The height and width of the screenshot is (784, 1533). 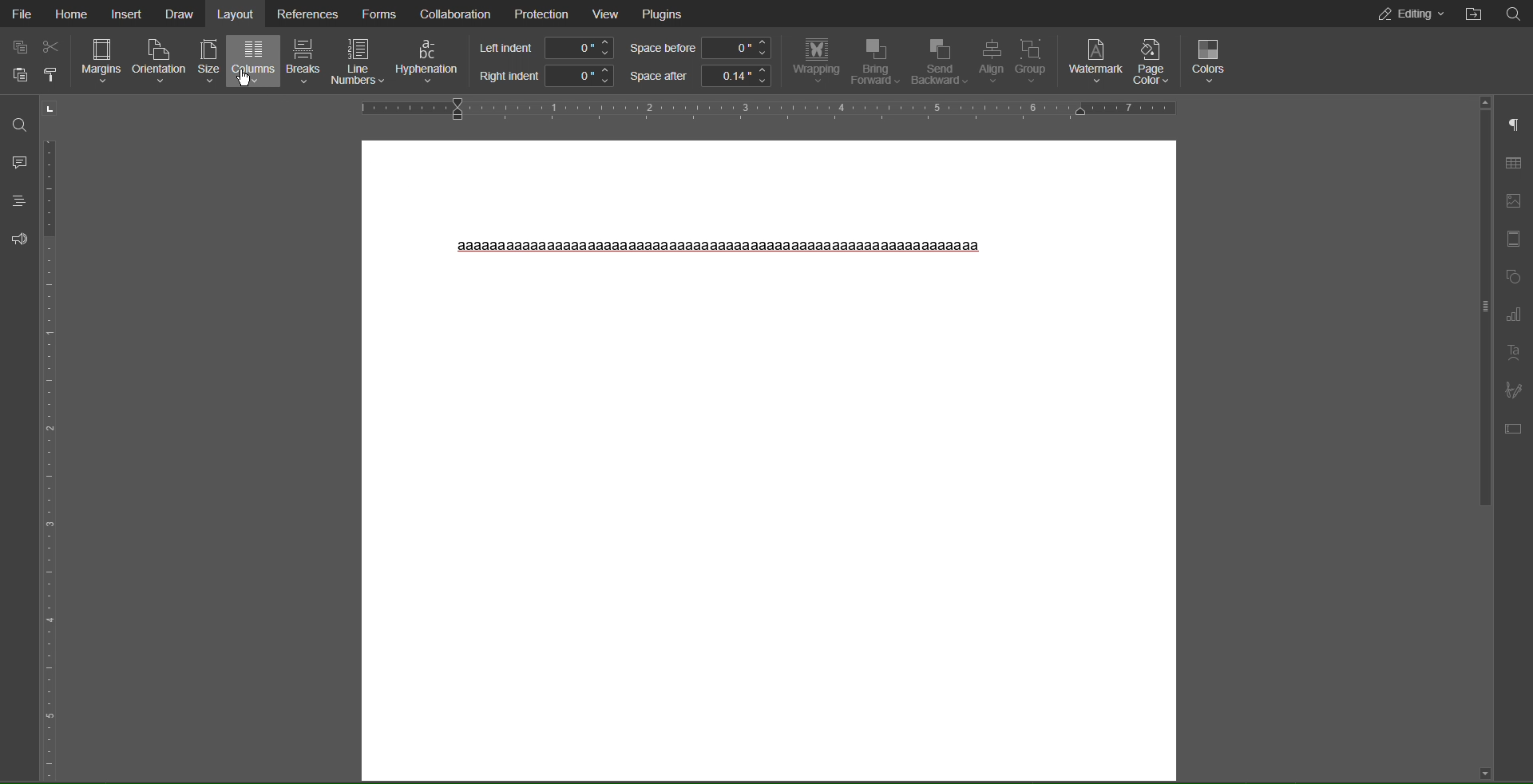 What do you see at coordinates (18, 120) in the screenshot?
I see `Search` at bounding box center [18, 120].